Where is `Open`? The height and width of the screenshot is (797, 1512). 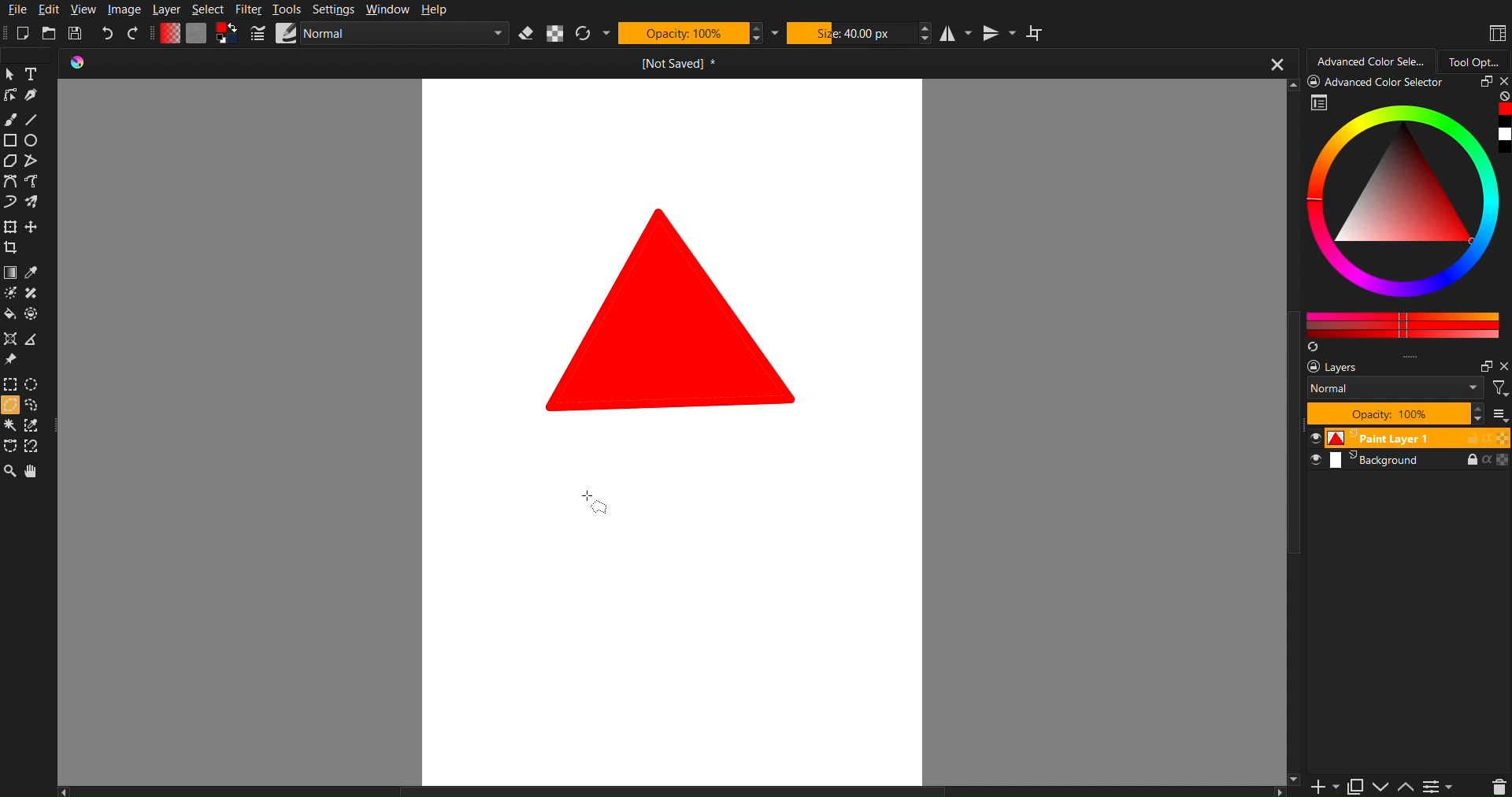 Open is located at coordinates (50, 32).